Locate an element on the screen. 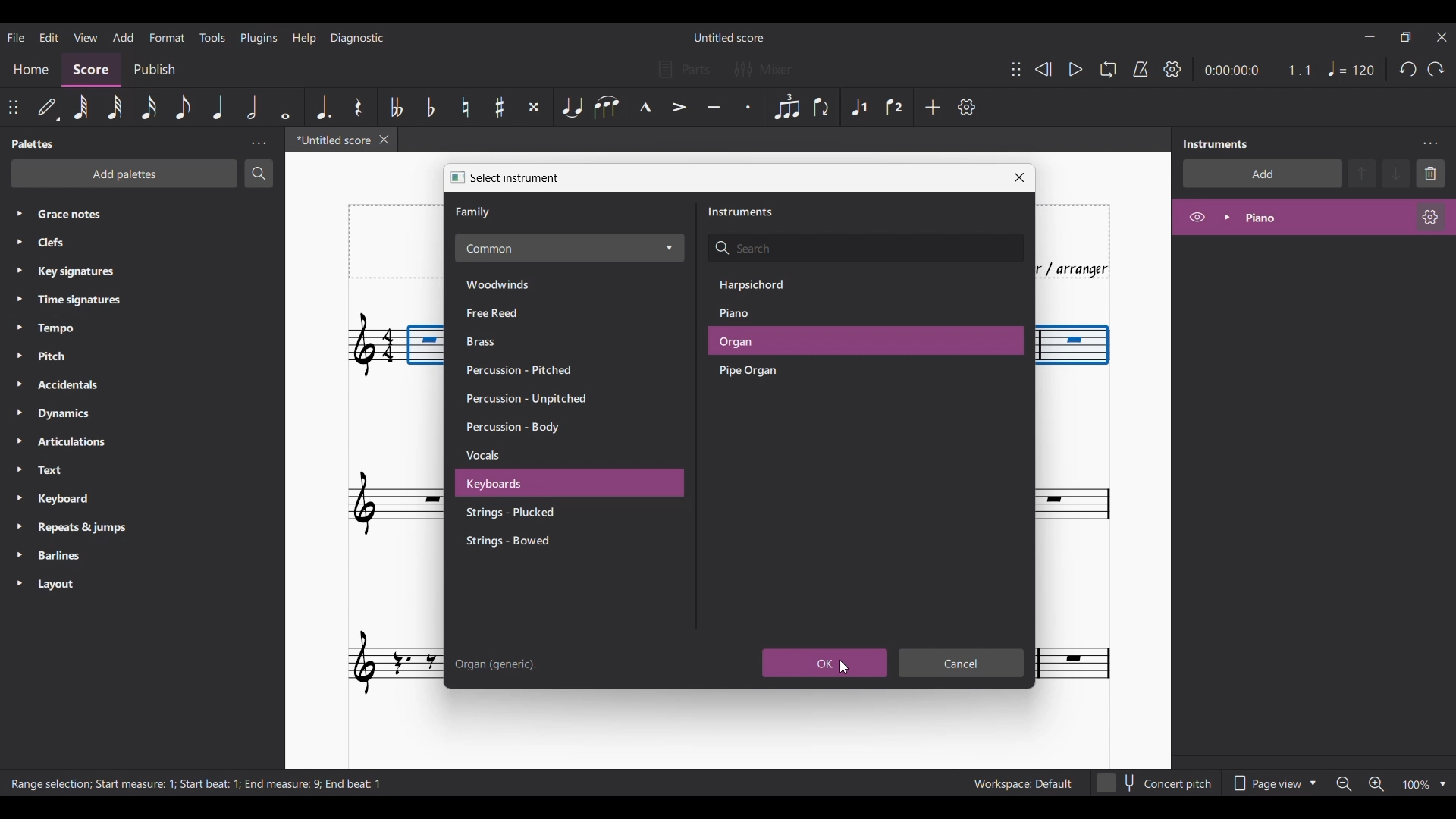 The width and height of the screenshot is (1456, 819). Publish section is located at coordinates (156, 67).